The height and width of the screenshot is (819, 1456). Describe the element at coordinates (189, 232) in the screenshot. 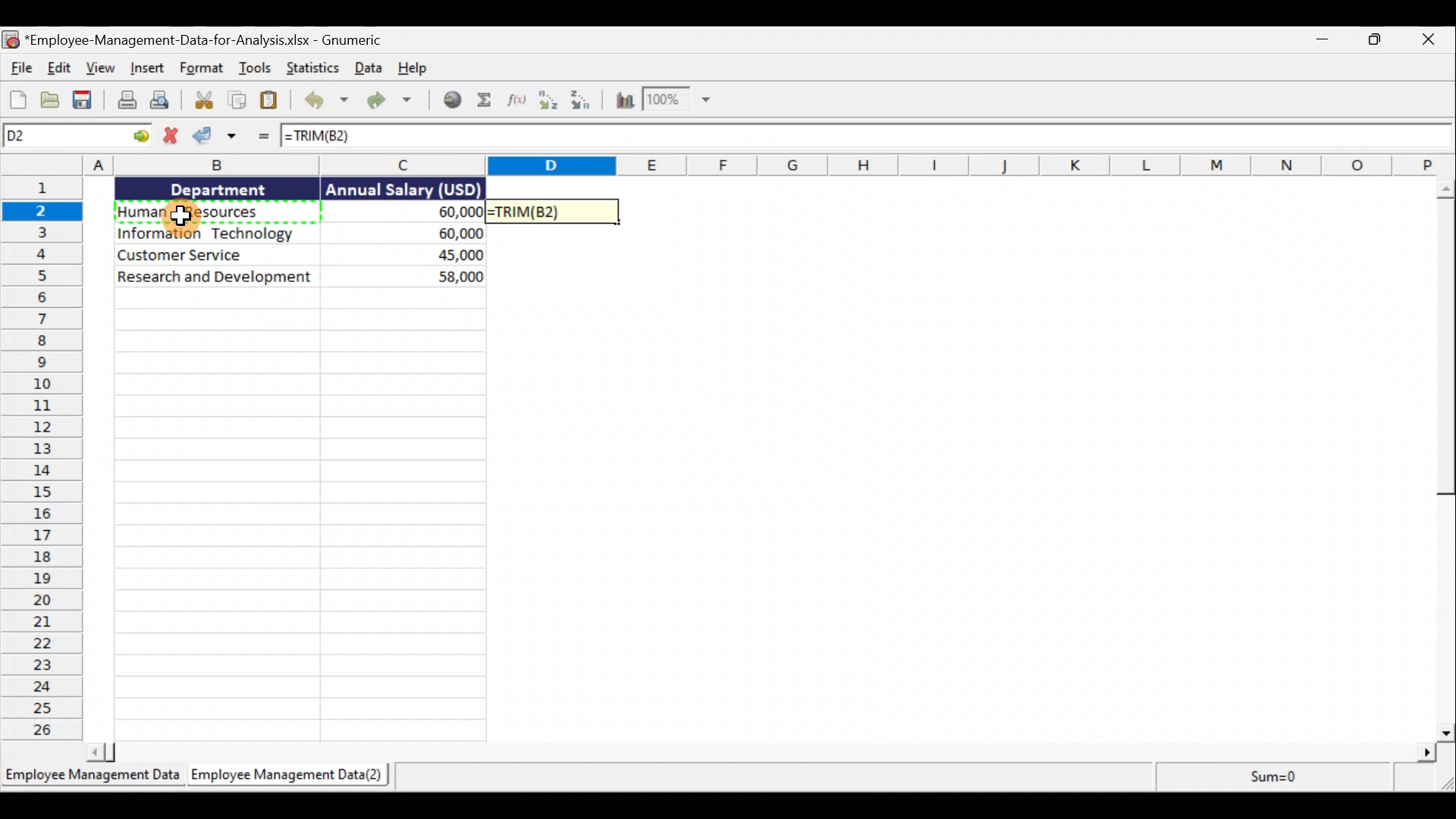

I see `Data` at that location.